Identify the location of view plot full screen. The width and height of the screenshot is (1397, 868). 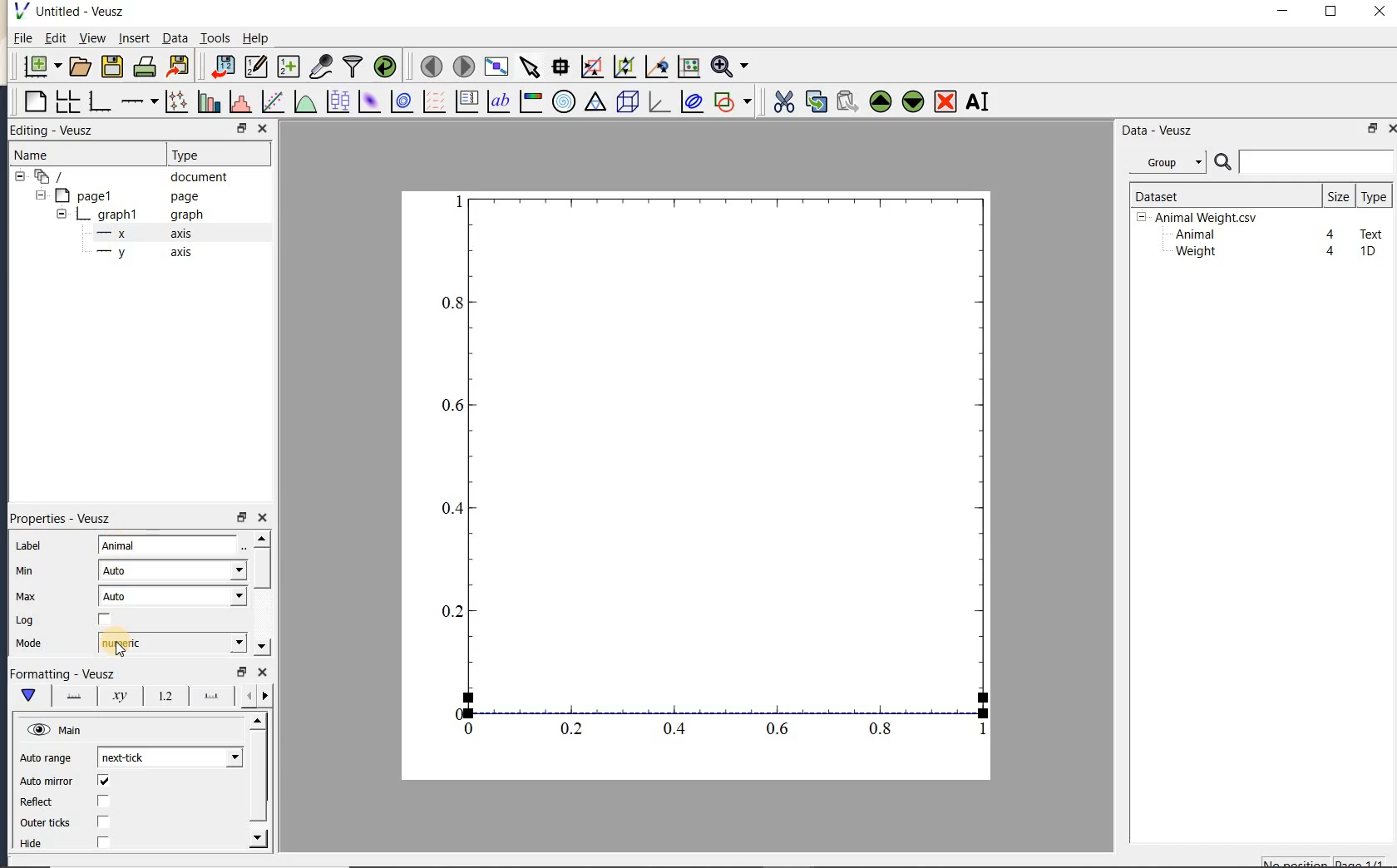
(496, 67).